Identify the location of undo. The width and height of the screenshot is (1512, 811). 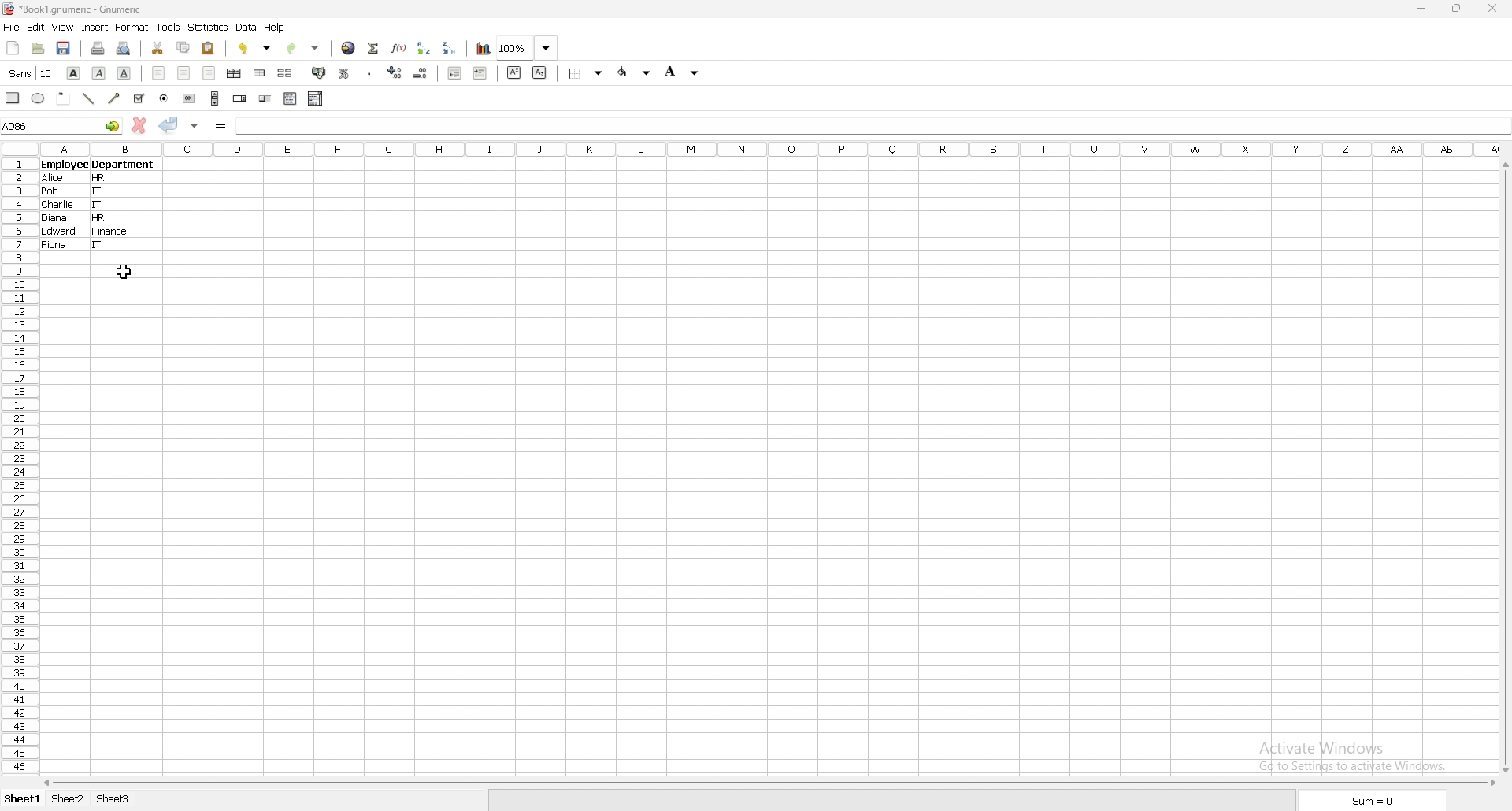
(254, 49).